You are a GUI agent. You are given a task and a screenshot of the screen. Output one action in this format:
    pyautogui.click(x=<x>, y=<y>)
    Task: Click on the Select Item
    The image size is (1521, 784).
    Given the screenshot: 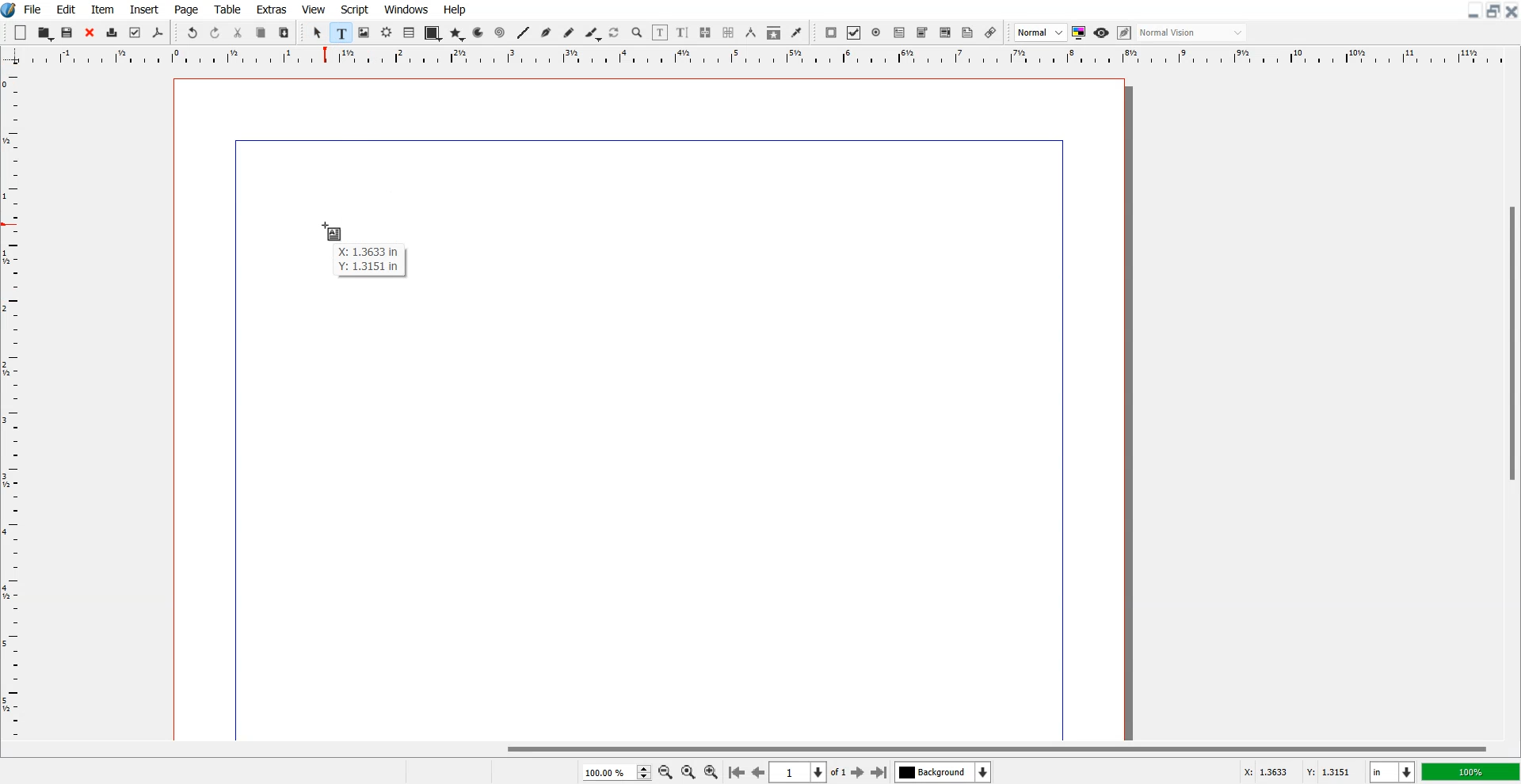 What is the action you would take?
    pyautogui.click(x=319, y=32)
    